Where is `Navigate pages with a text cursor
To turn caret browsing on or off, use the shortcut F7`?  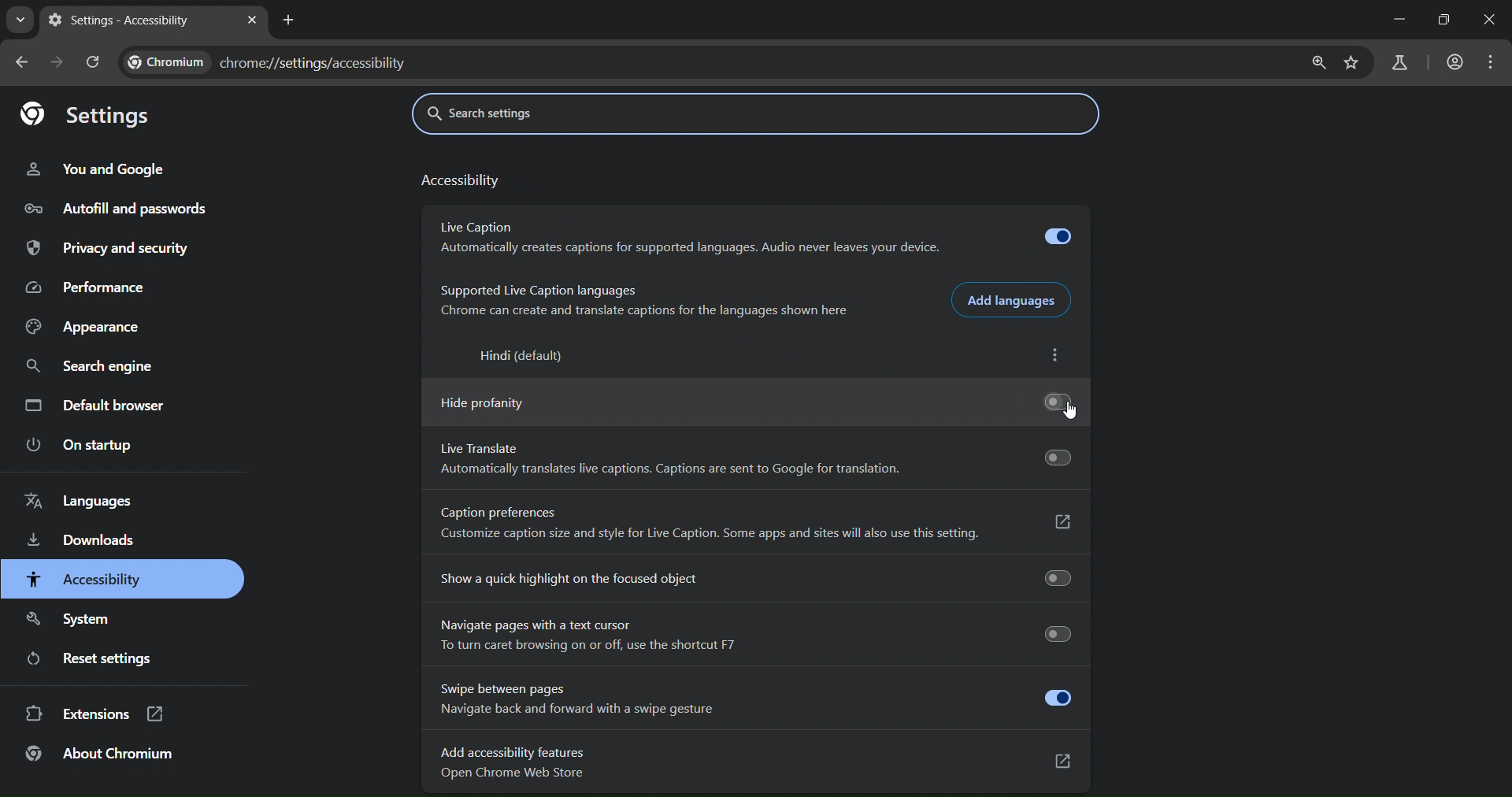 Navigate pages with a text cursor
To turn caret browsing on or off, use the shortcut F7 is located at coordinates (754, 634).